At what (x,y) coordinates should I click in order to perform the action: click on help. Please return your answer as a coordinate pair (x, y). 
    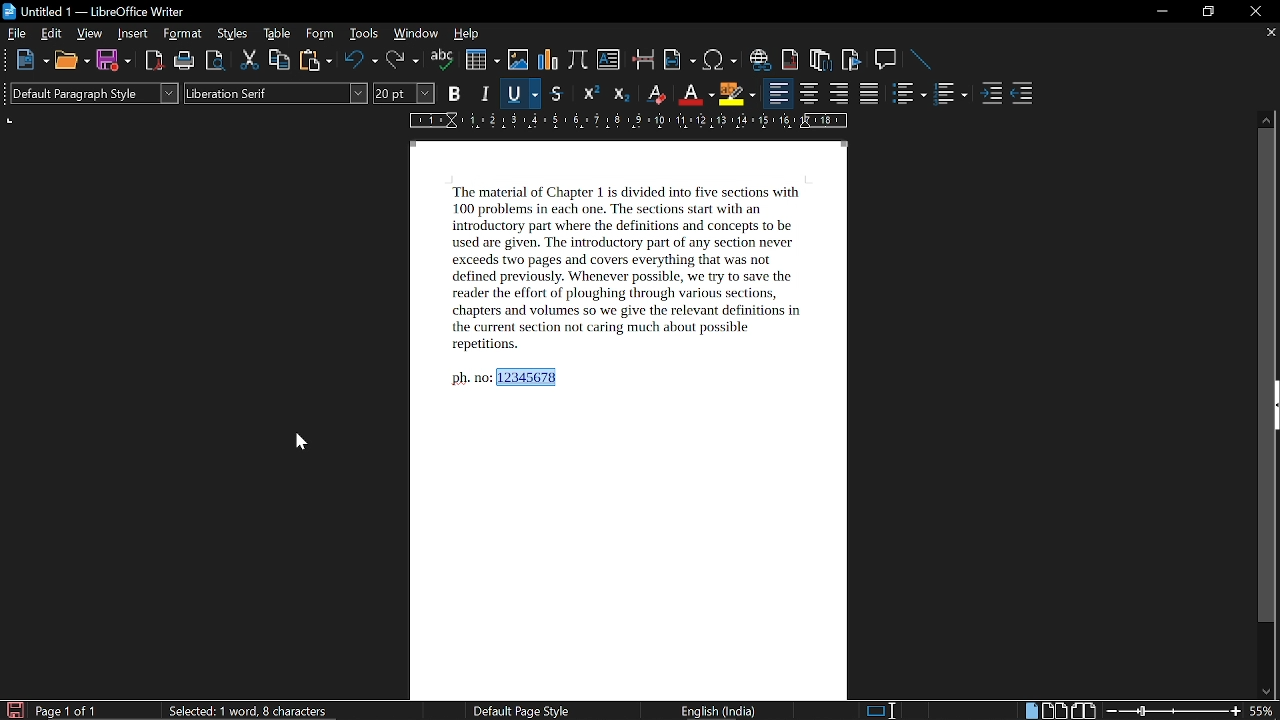
    Looking at the image, I should click on (466, 36).